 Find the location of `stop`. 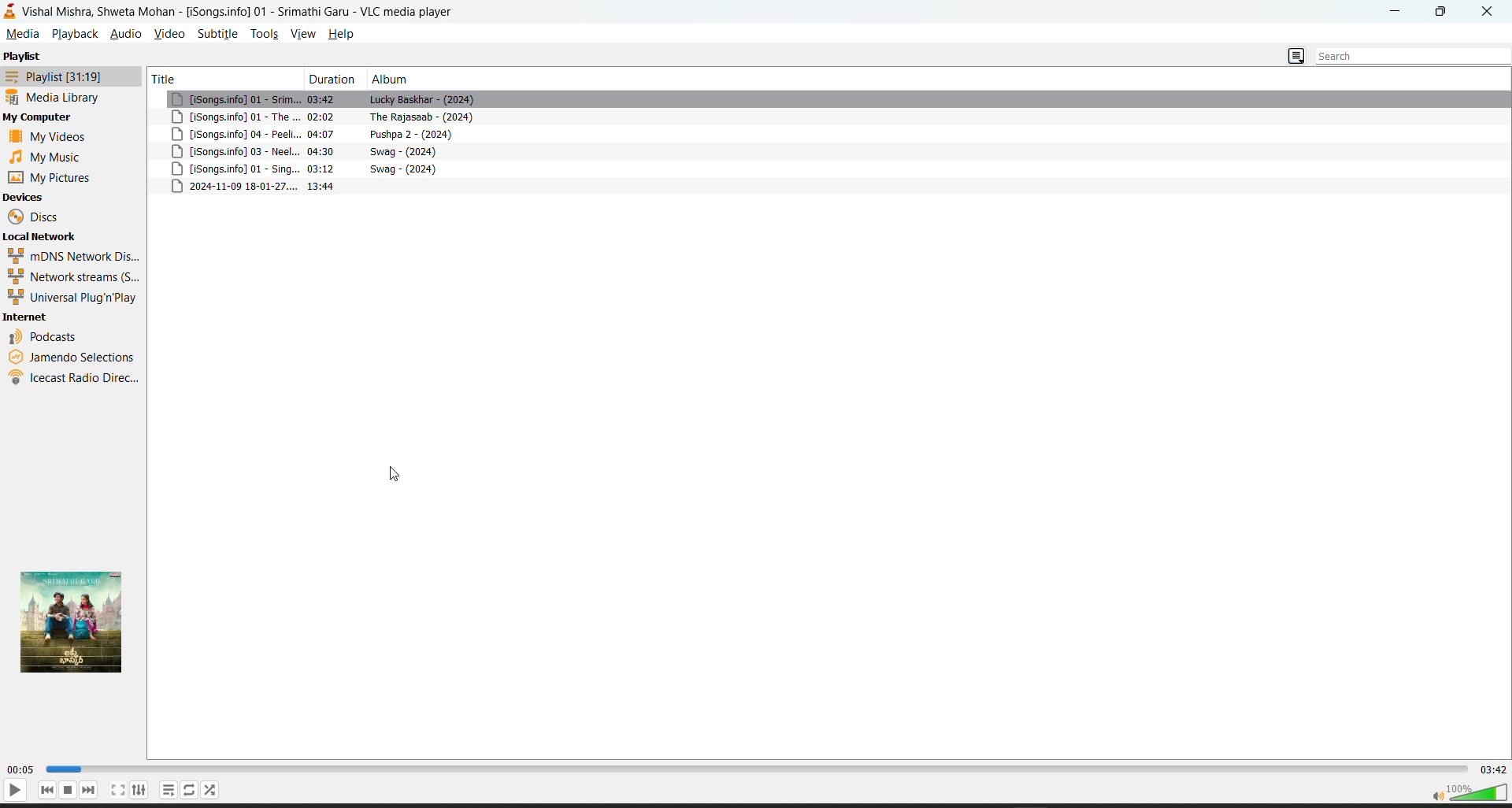

stop is located at coordinates (69, 791).